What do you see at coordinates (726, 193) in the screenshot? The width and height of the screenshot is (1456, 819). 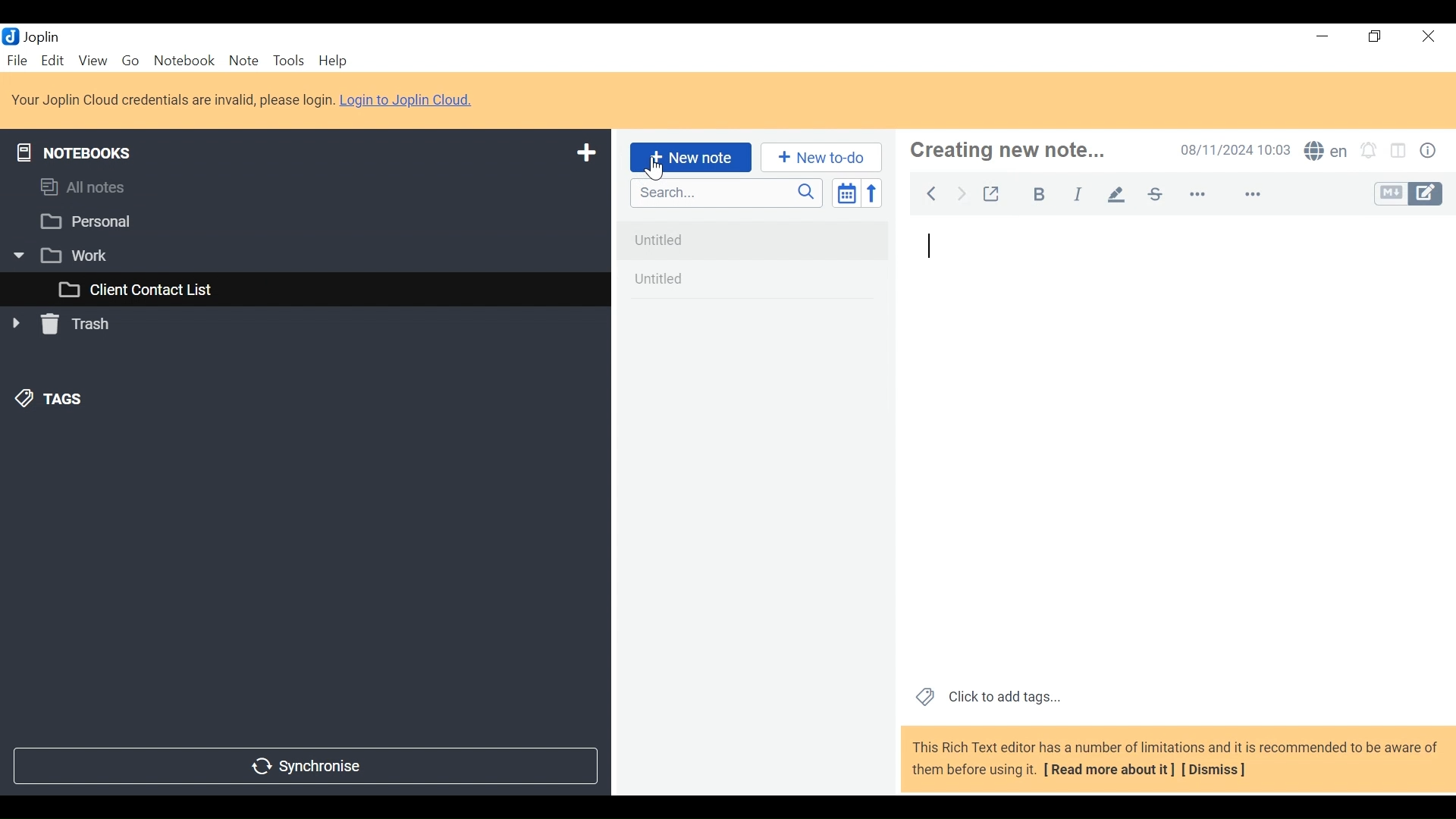 I see `Serach` at bounding box center [726, 193].